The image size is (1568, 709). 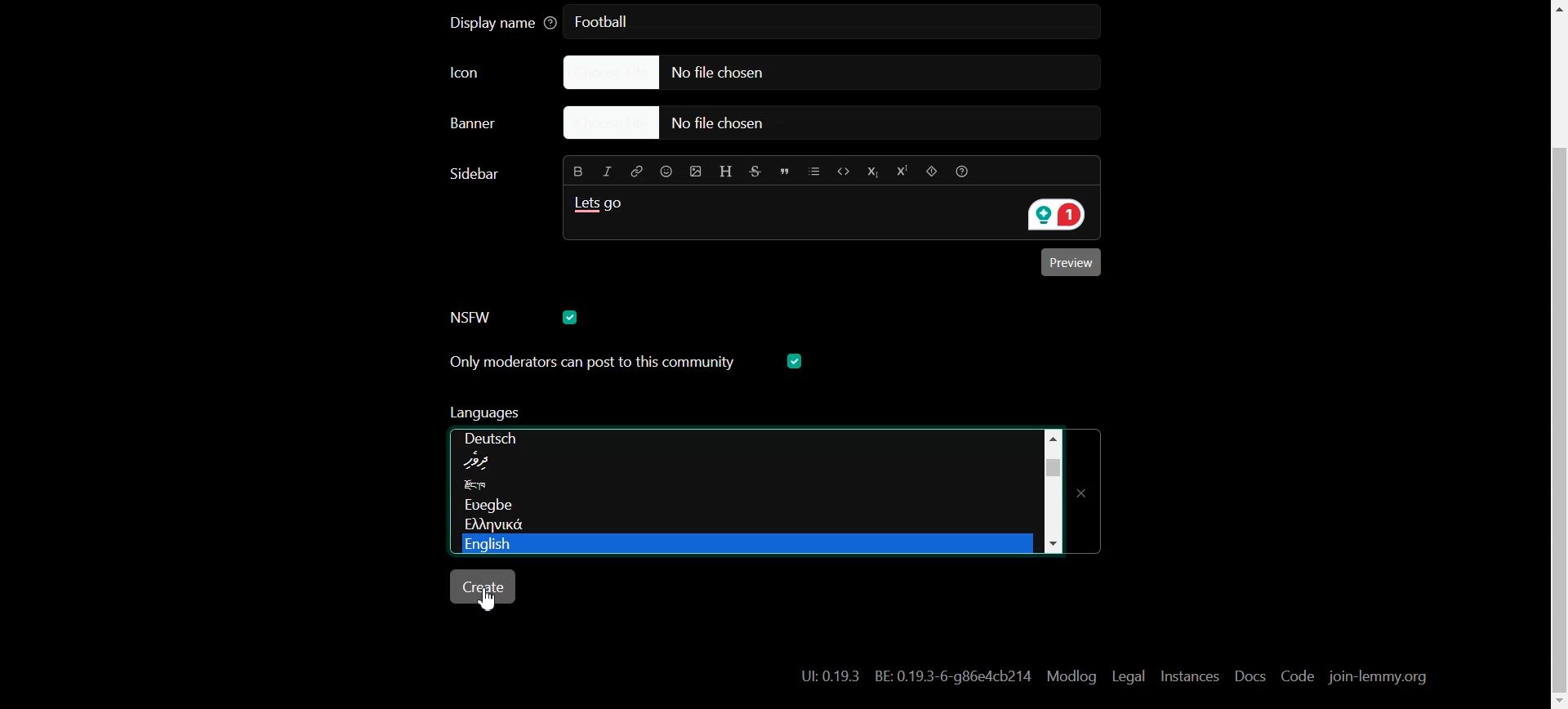 I want to click on Language, so click(x=739, y=487).